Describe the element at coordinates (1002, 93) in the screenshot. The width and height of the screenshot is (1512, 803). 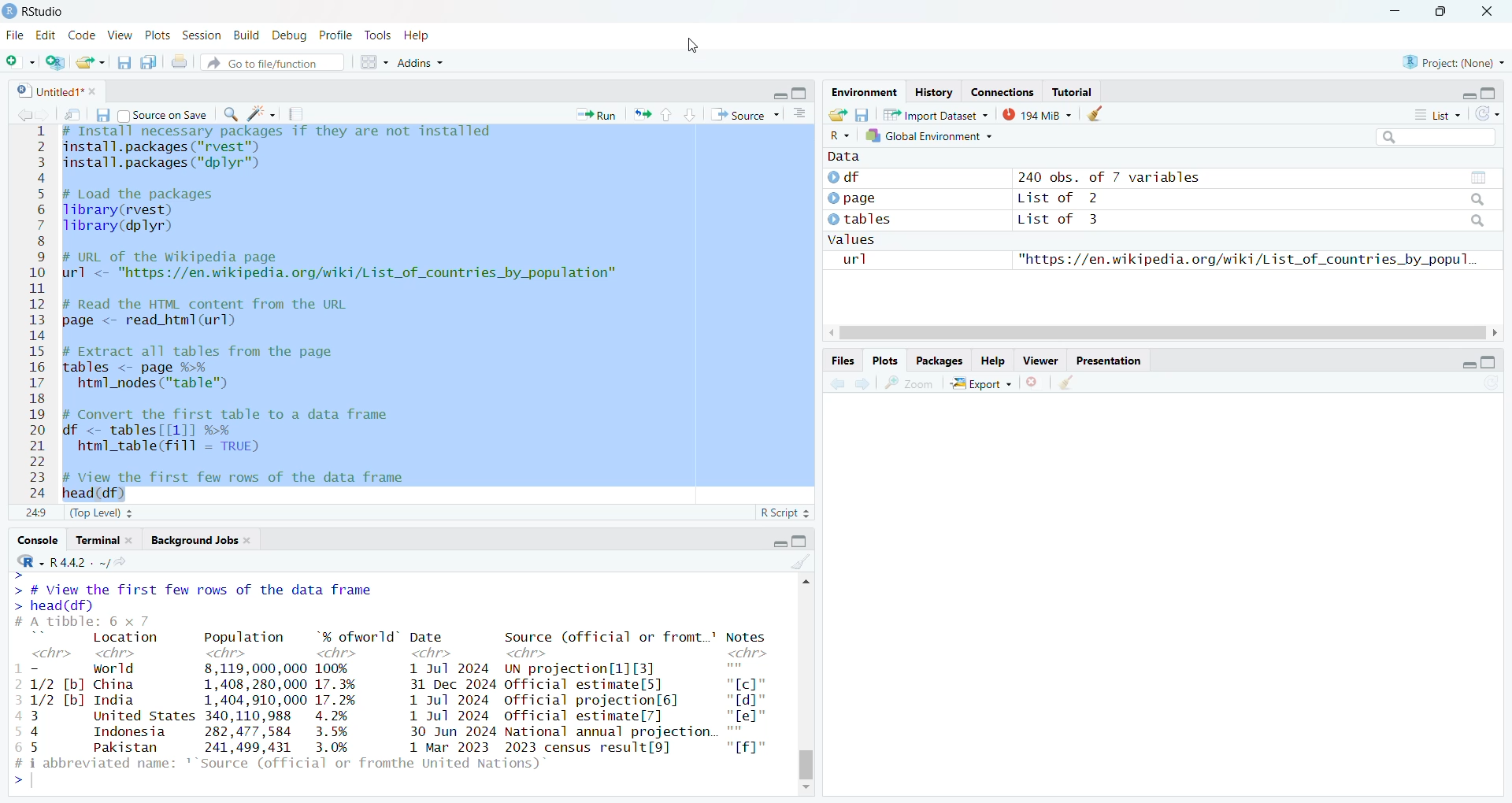
I see `Connections` at that location.